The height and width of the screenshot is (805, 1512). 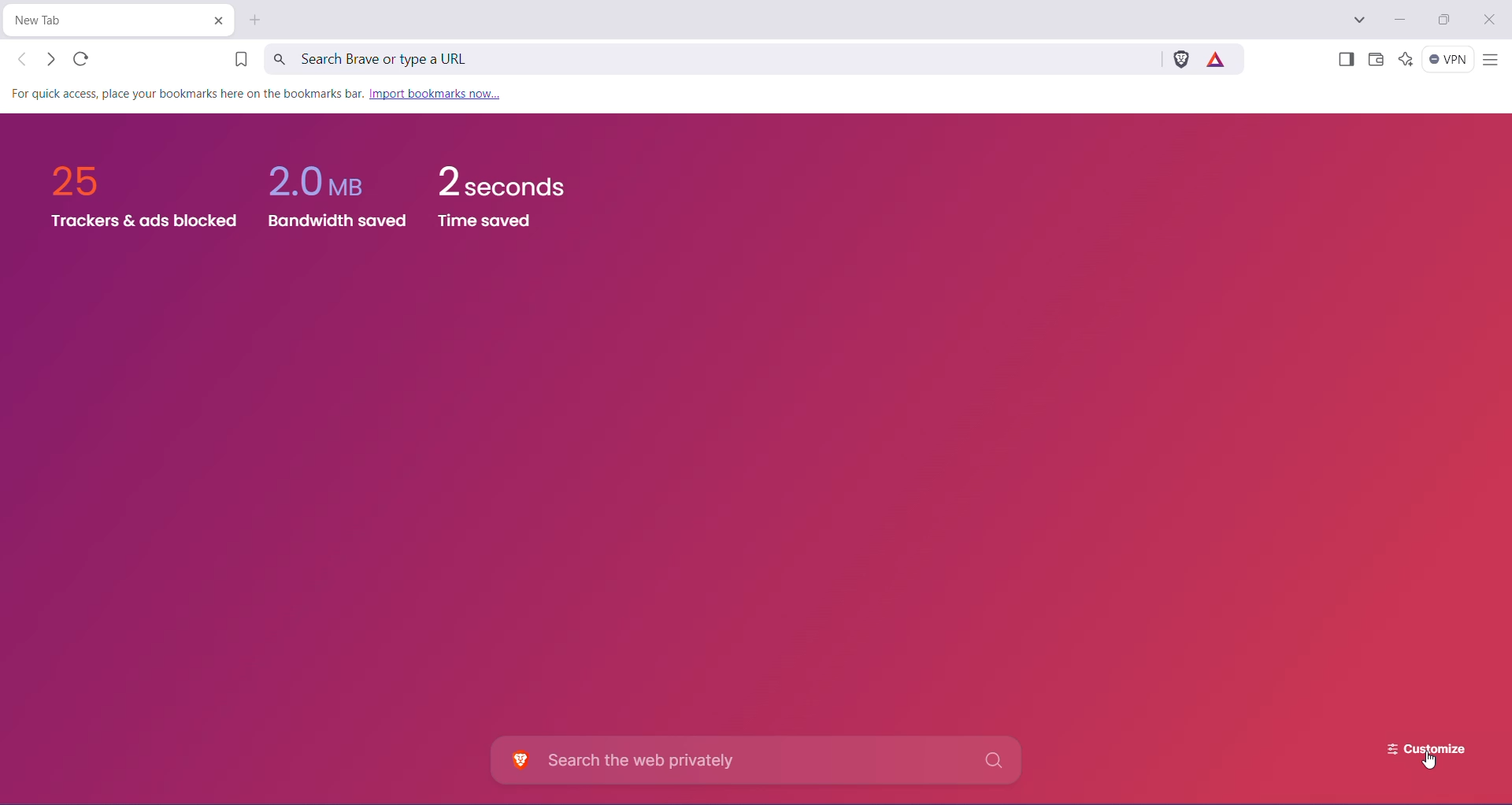 What do you see at coordinates (1399, 20) in the screenshot?
I see `Minimize` at bounding box center [1399, 20].